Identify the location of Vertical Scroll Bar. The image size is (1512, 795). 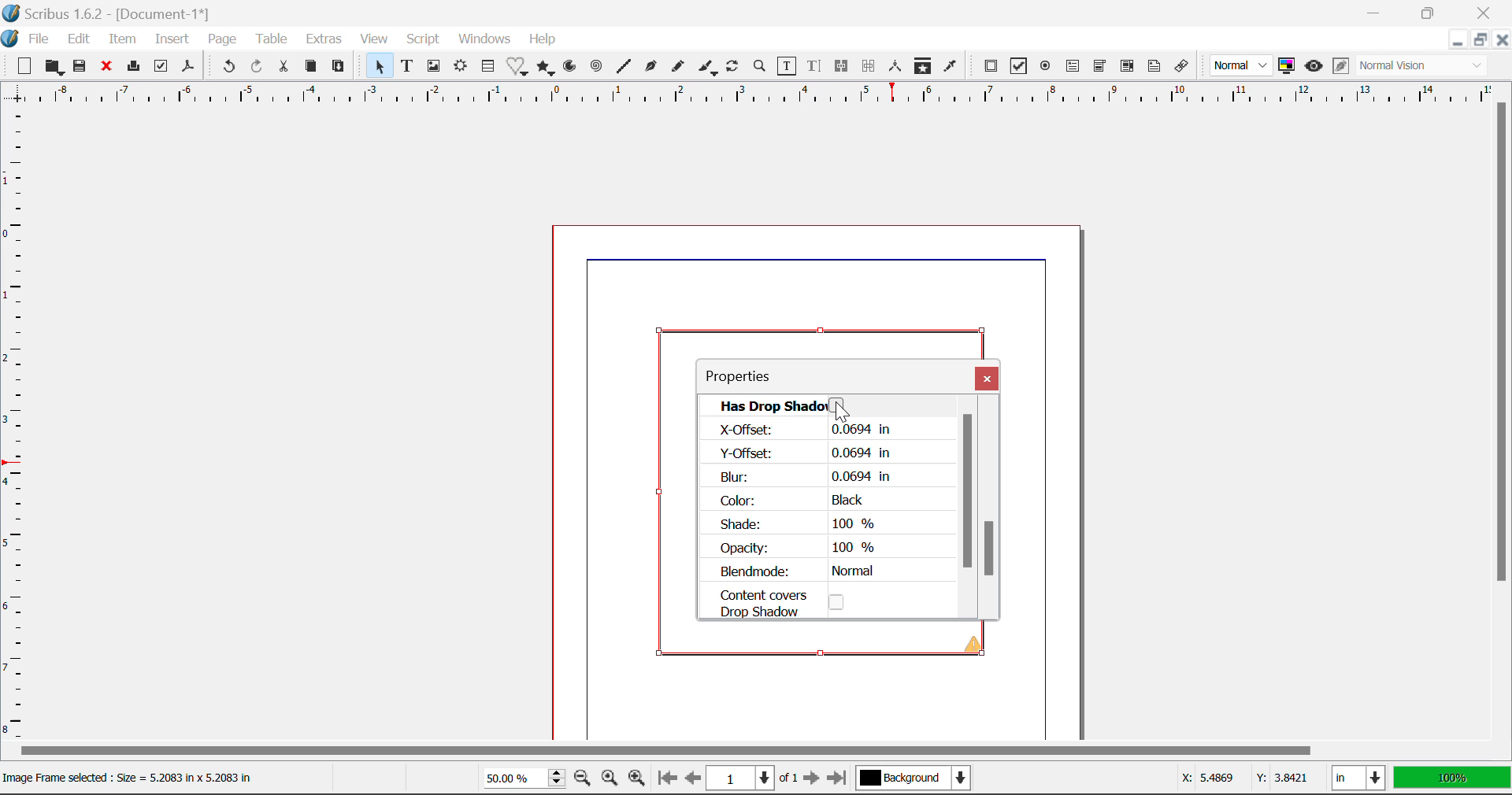
(1503, 400).